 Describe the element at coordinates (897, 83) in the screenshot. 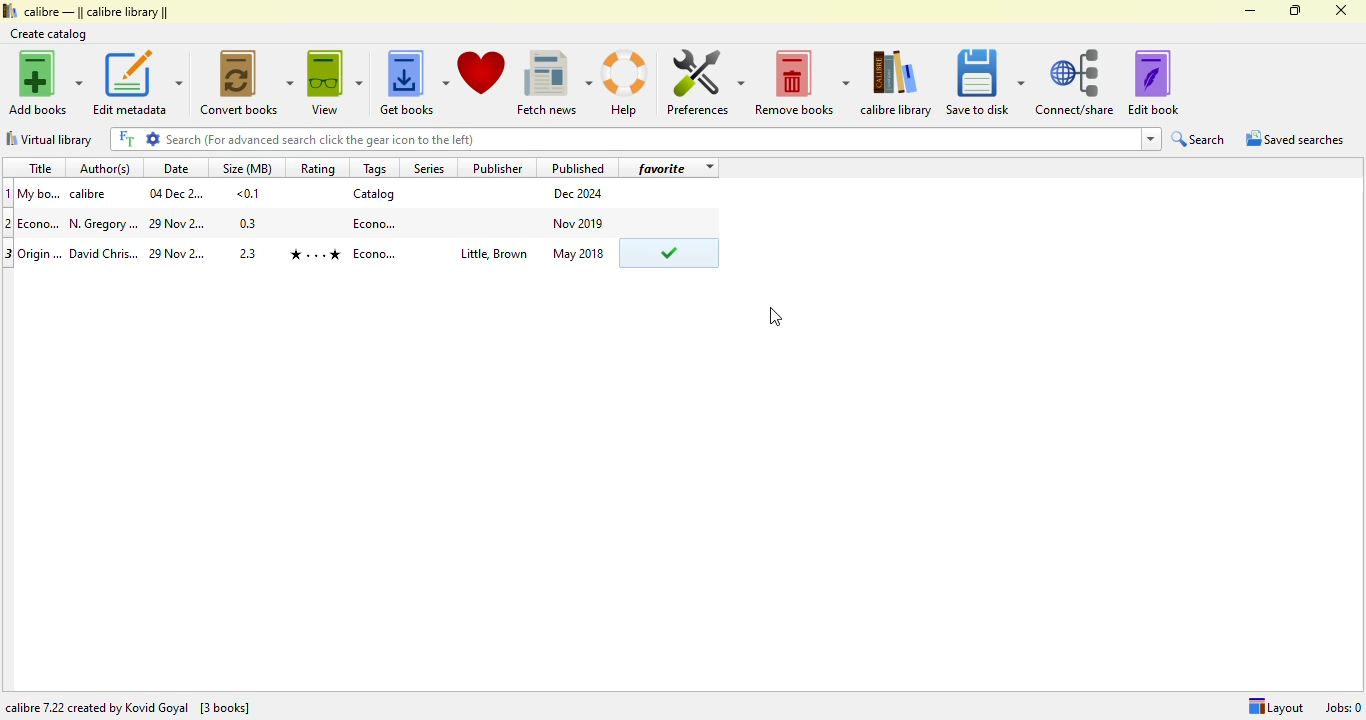

I see `calibre library` at that location.